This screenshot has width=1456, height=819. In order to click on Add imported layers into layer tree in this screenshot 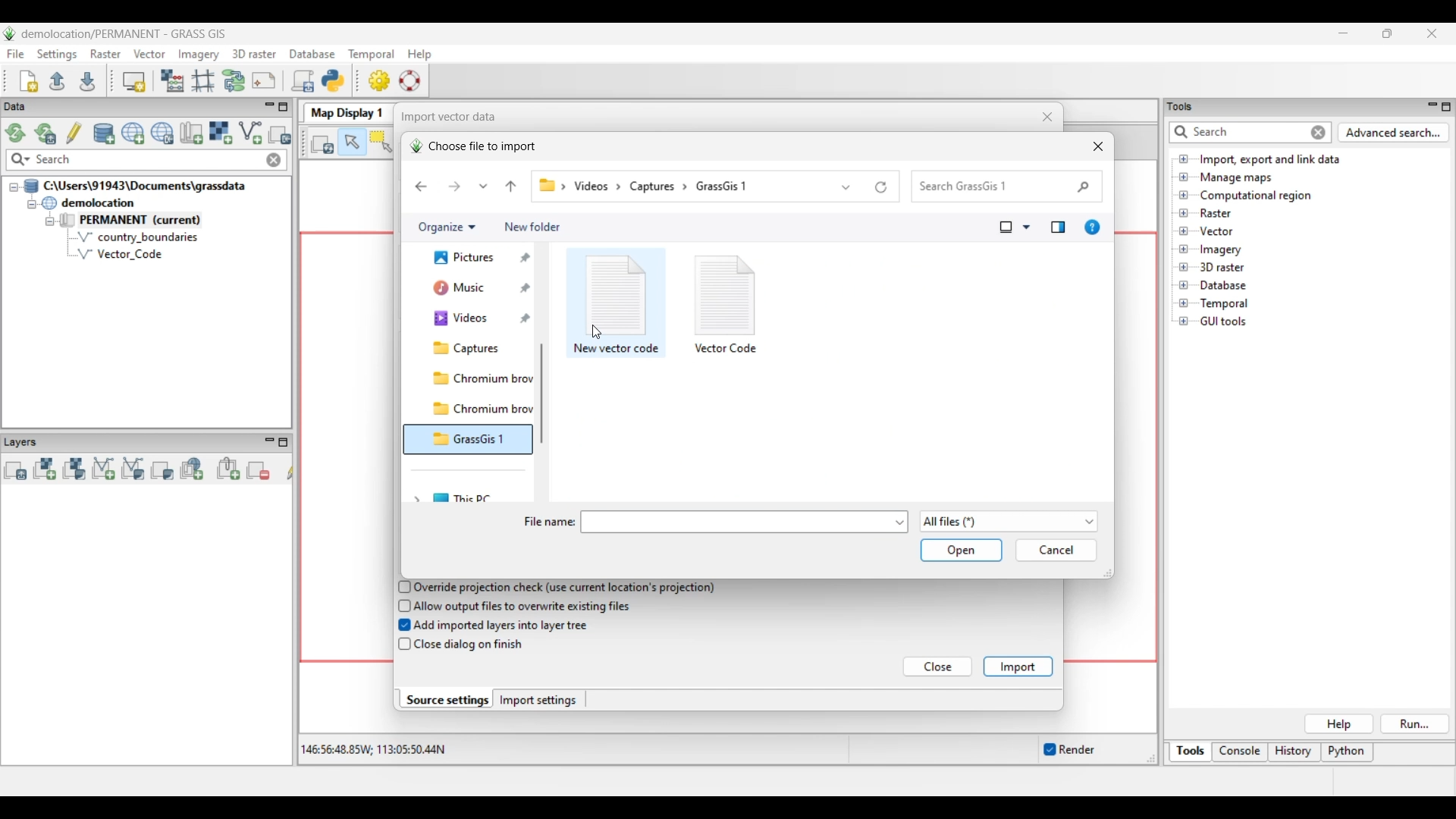, I will do `click(502, 626)`.